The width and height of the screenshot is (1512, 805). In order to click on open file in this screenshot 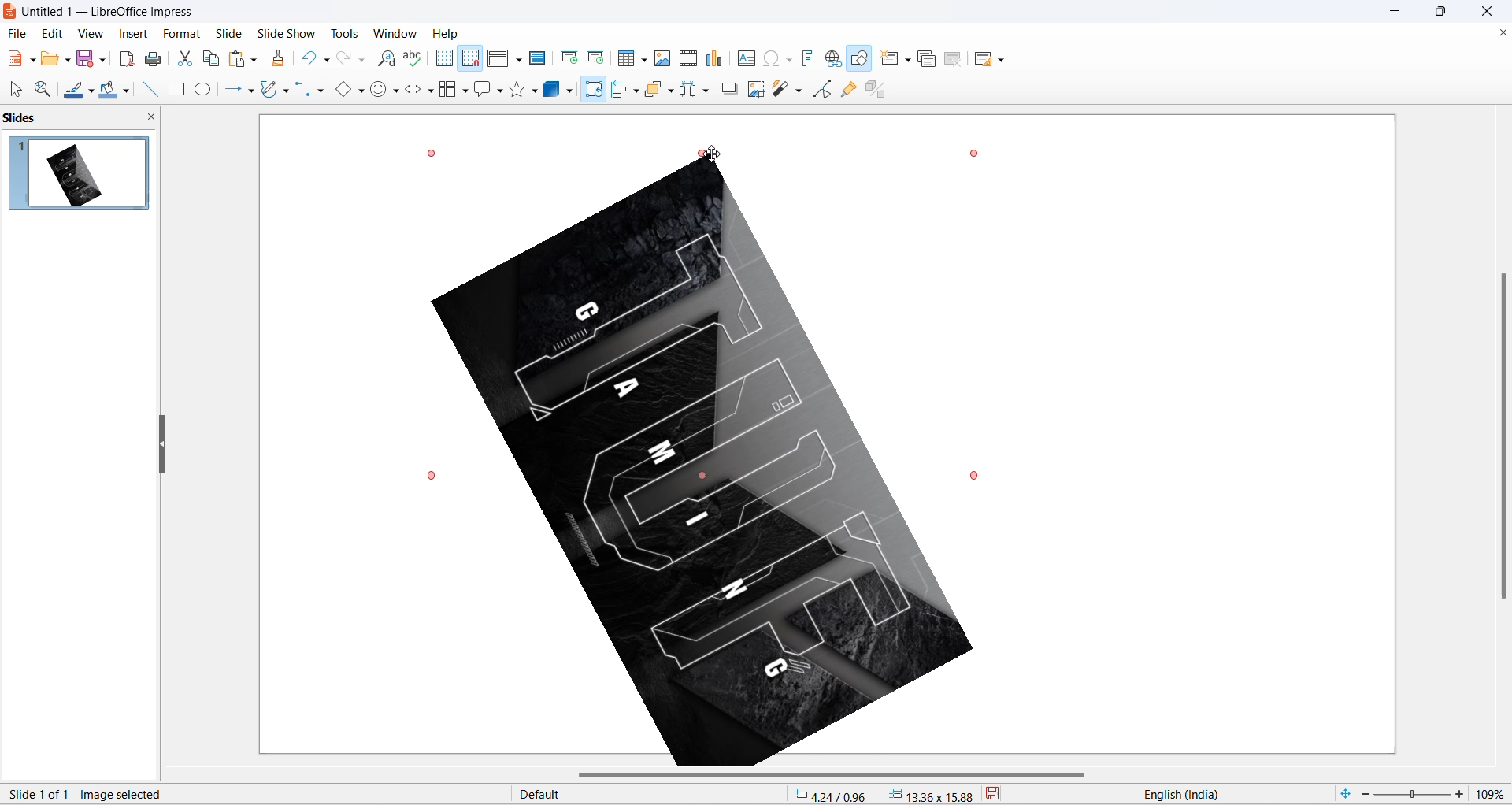, I will do `click(50, 61)`.